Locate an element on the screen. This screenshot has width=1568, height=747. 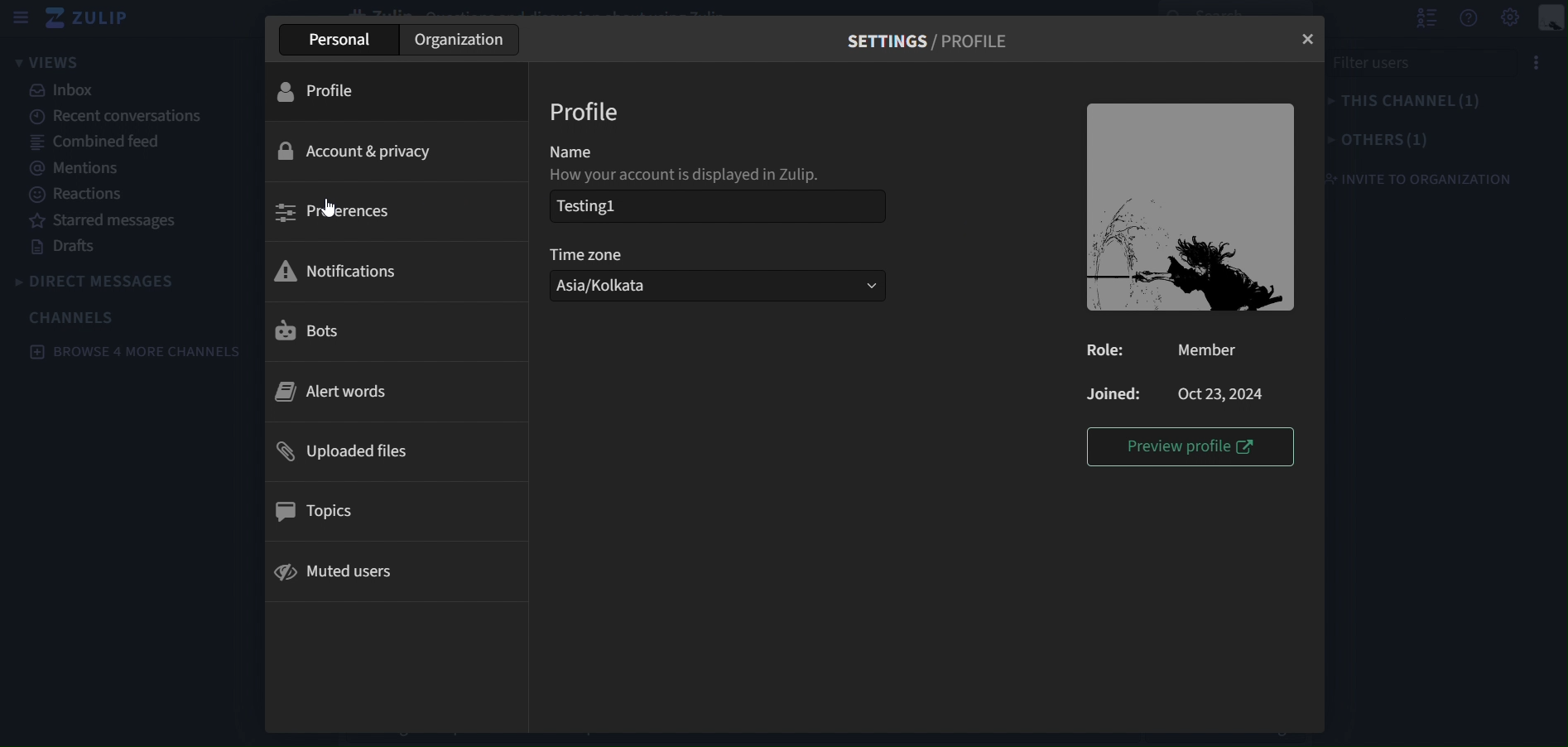
zulip is located at coordinates (95, 17).